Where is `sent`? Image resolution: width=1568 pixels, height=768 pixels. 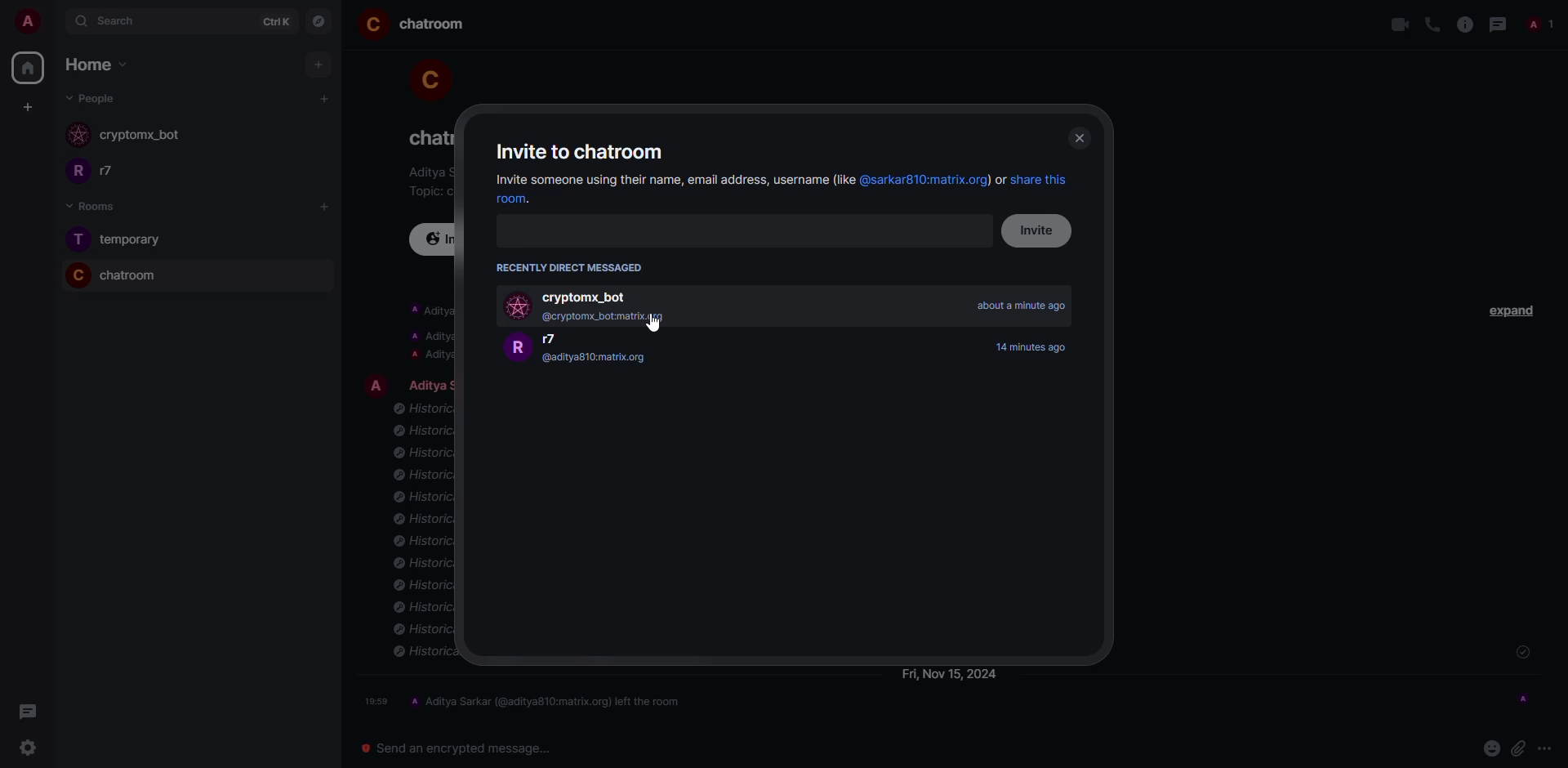
sent is located at coordinates (1521, 653).